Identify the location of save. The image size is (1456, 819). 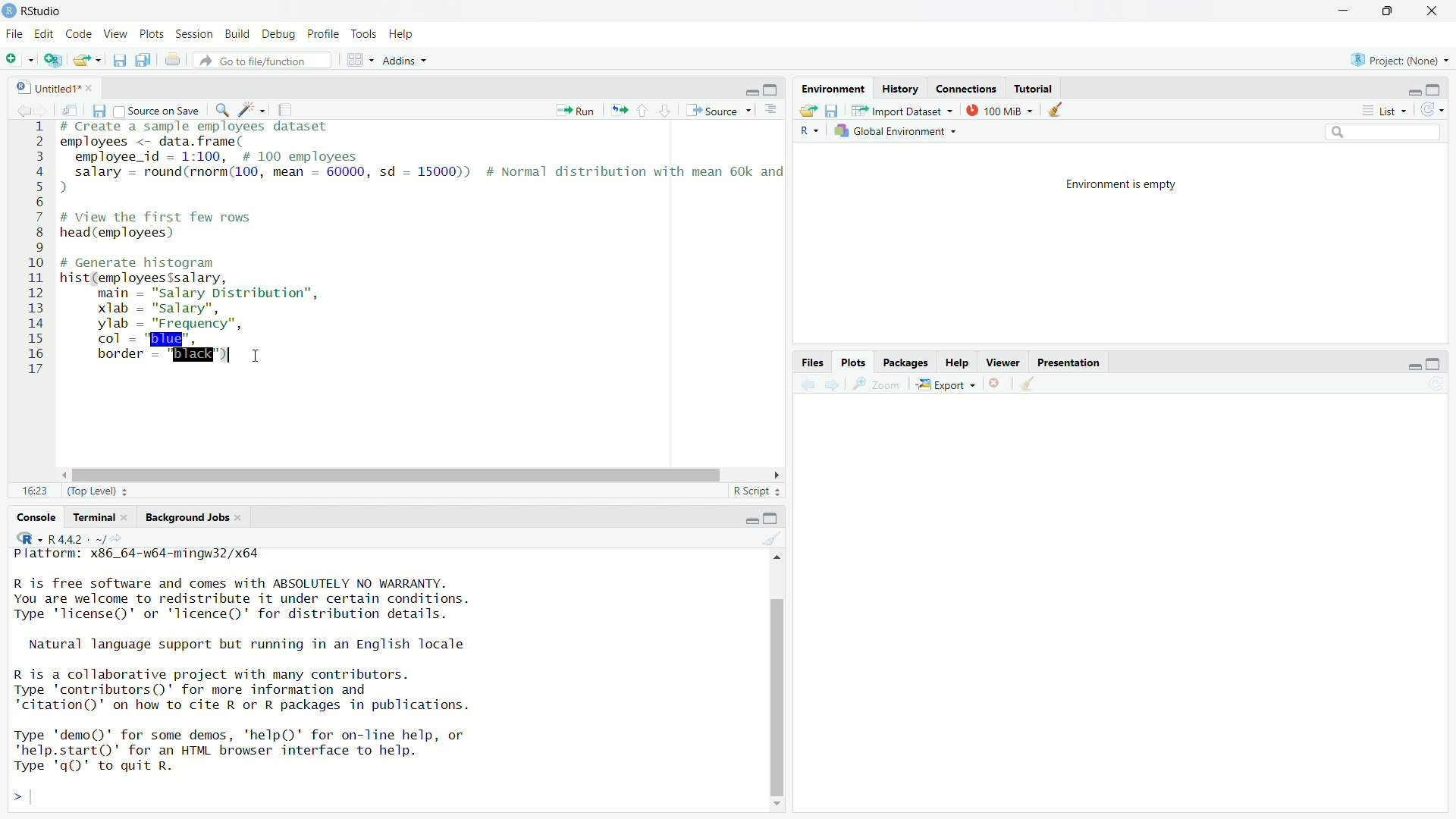
(99, 110).